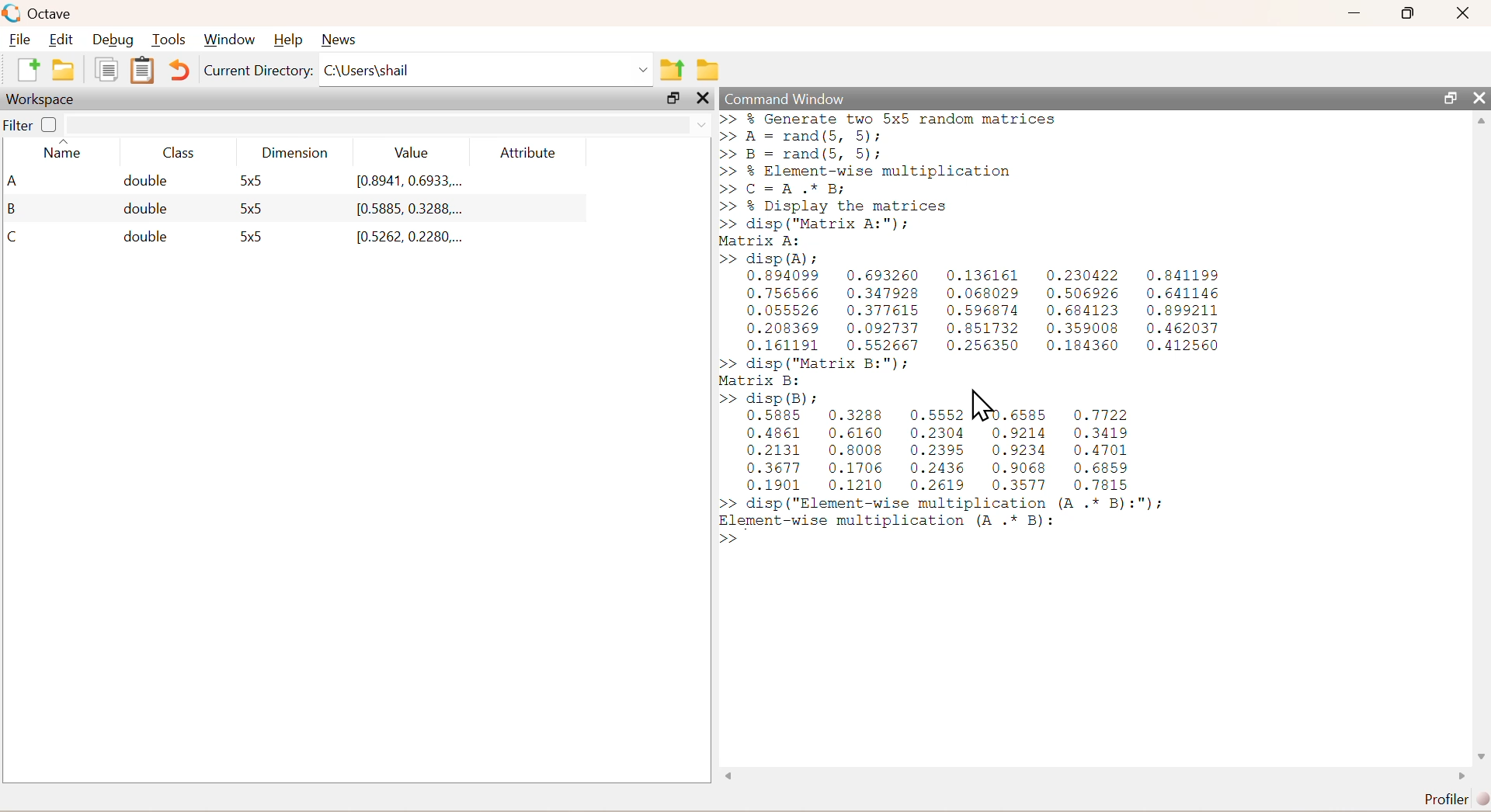 The image size is (1491, 812). I want to click on Attribute, so click(527, 148).